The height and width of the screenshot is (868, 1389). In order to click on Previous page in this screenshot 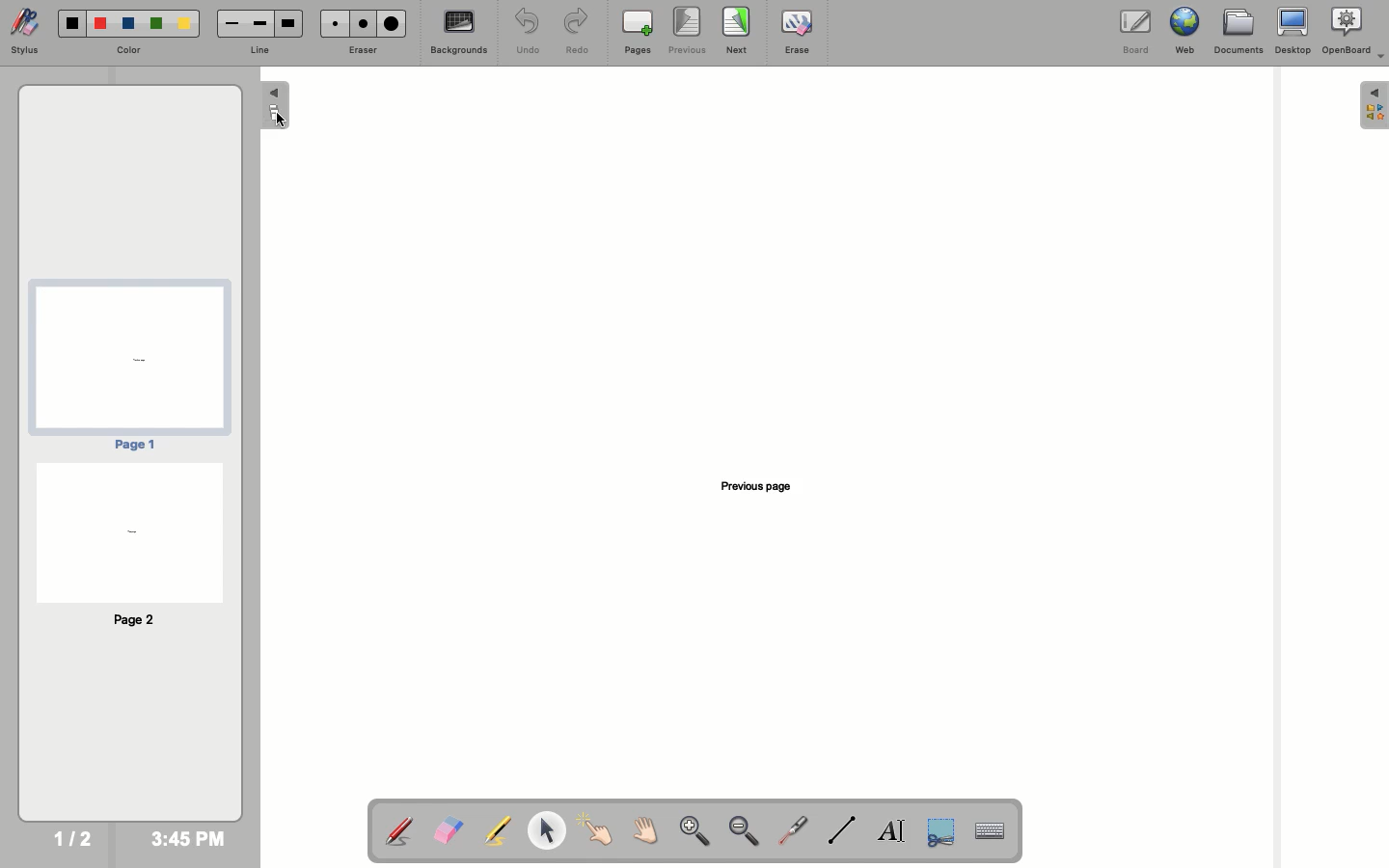, I will do `click(763, 484)`.